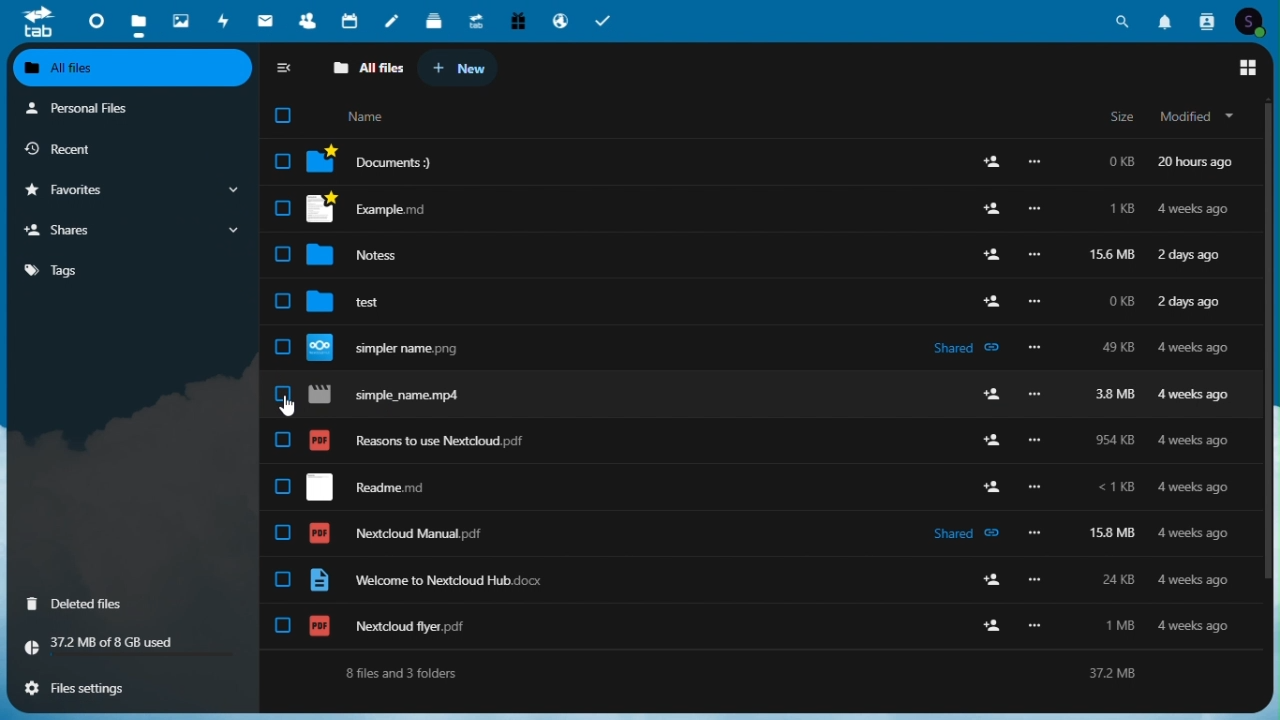 The image size is (1280, 720). I want to click on Notes, so click(755, 251).